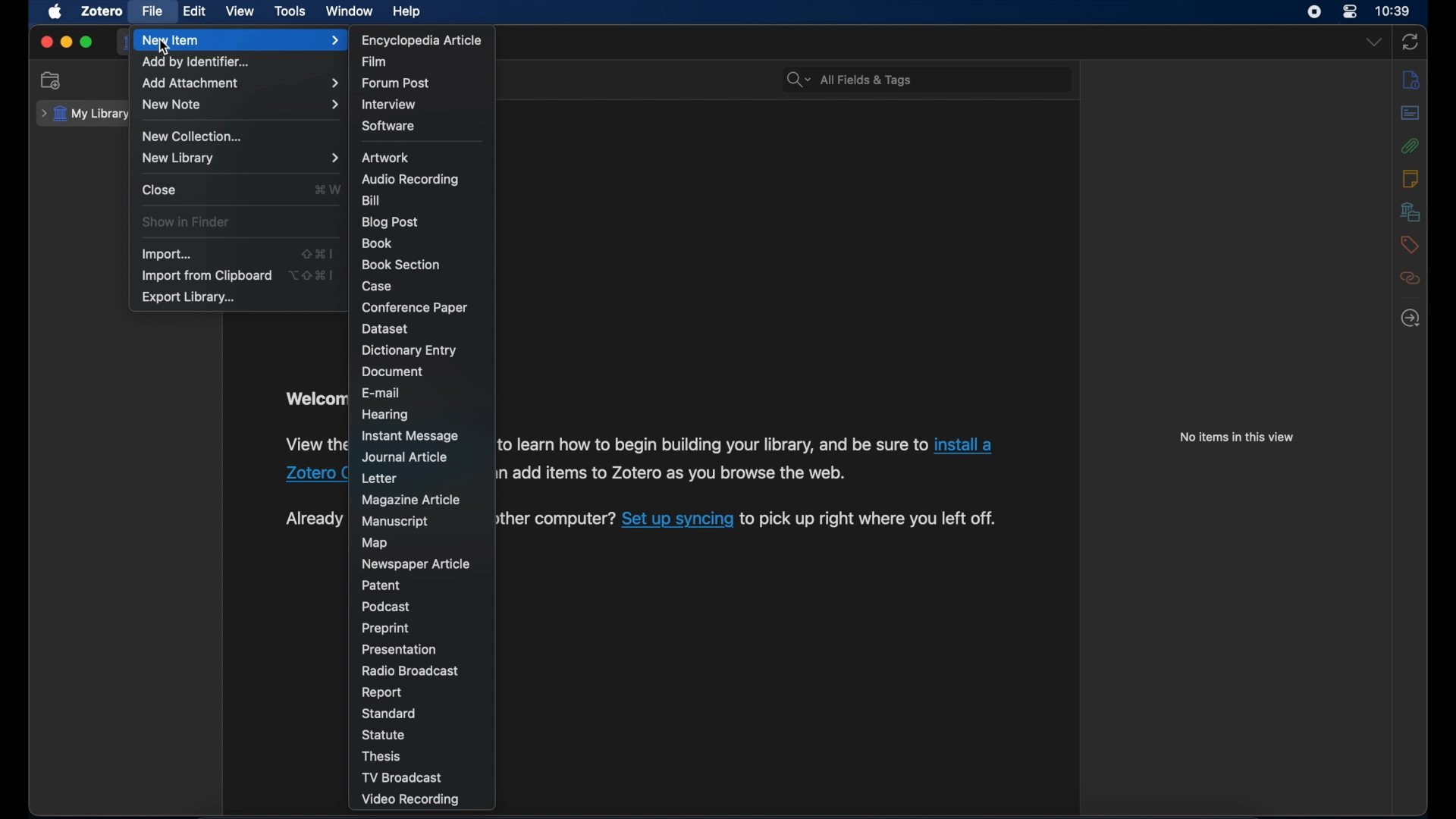 The width and height of the screenshot is (1456, 819). What do you see at coordinates (400, 84) in the screenshot?
I see `forum post` at bounding box center [400, 84].